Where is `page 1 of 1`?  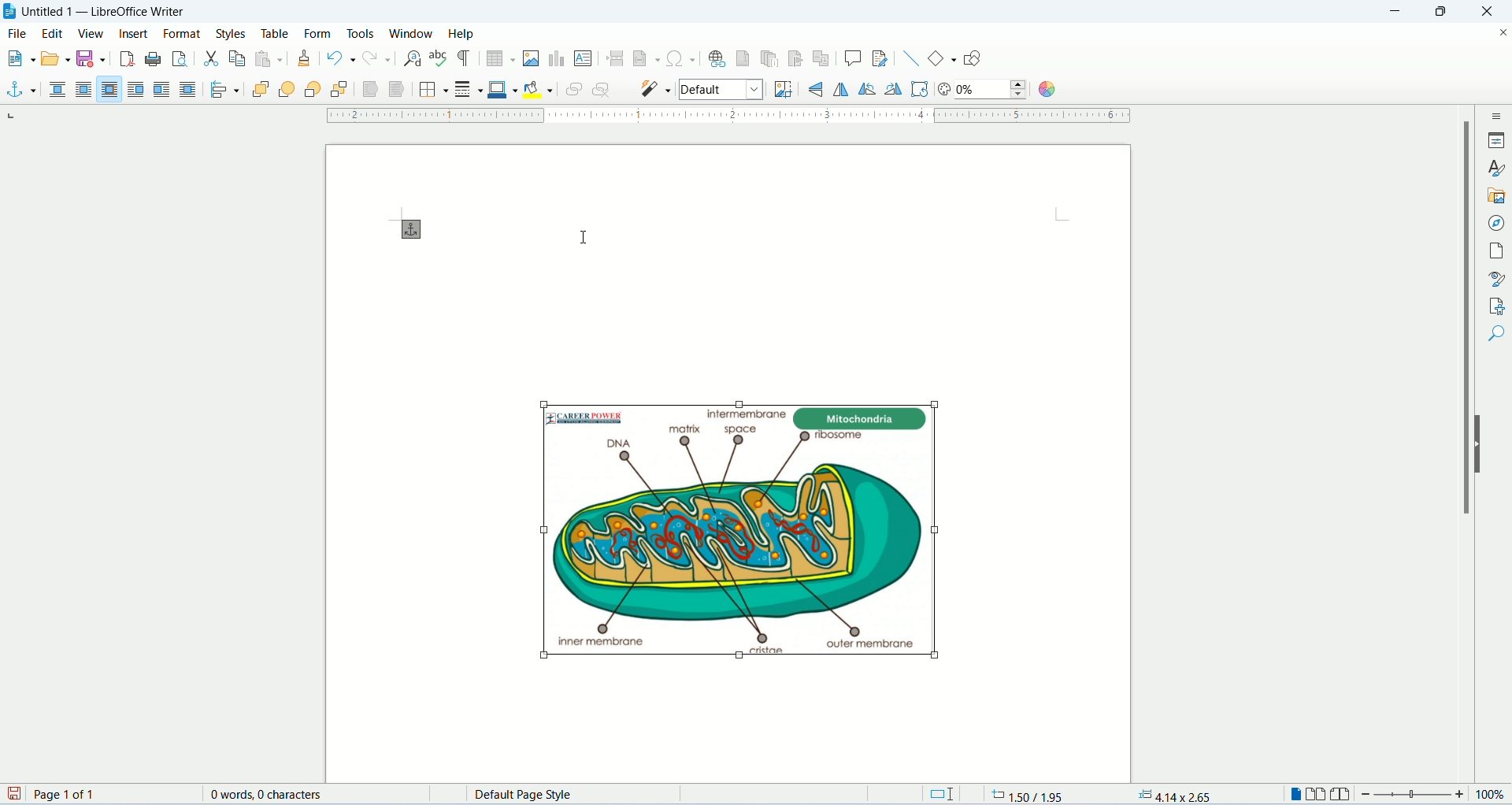
page 1 of 1 is located at coordinates (110, 794).